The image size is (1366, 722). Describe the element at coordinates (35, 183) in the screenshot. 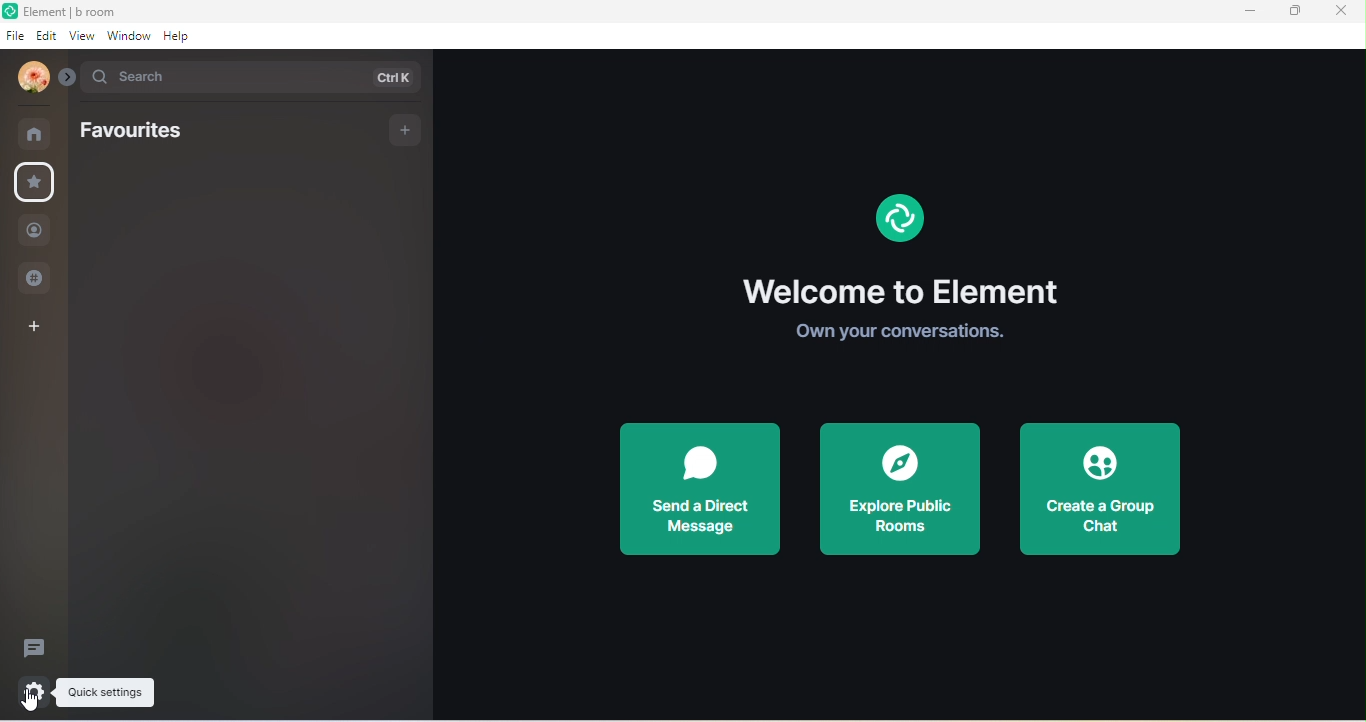

I see `favourites` at that location.